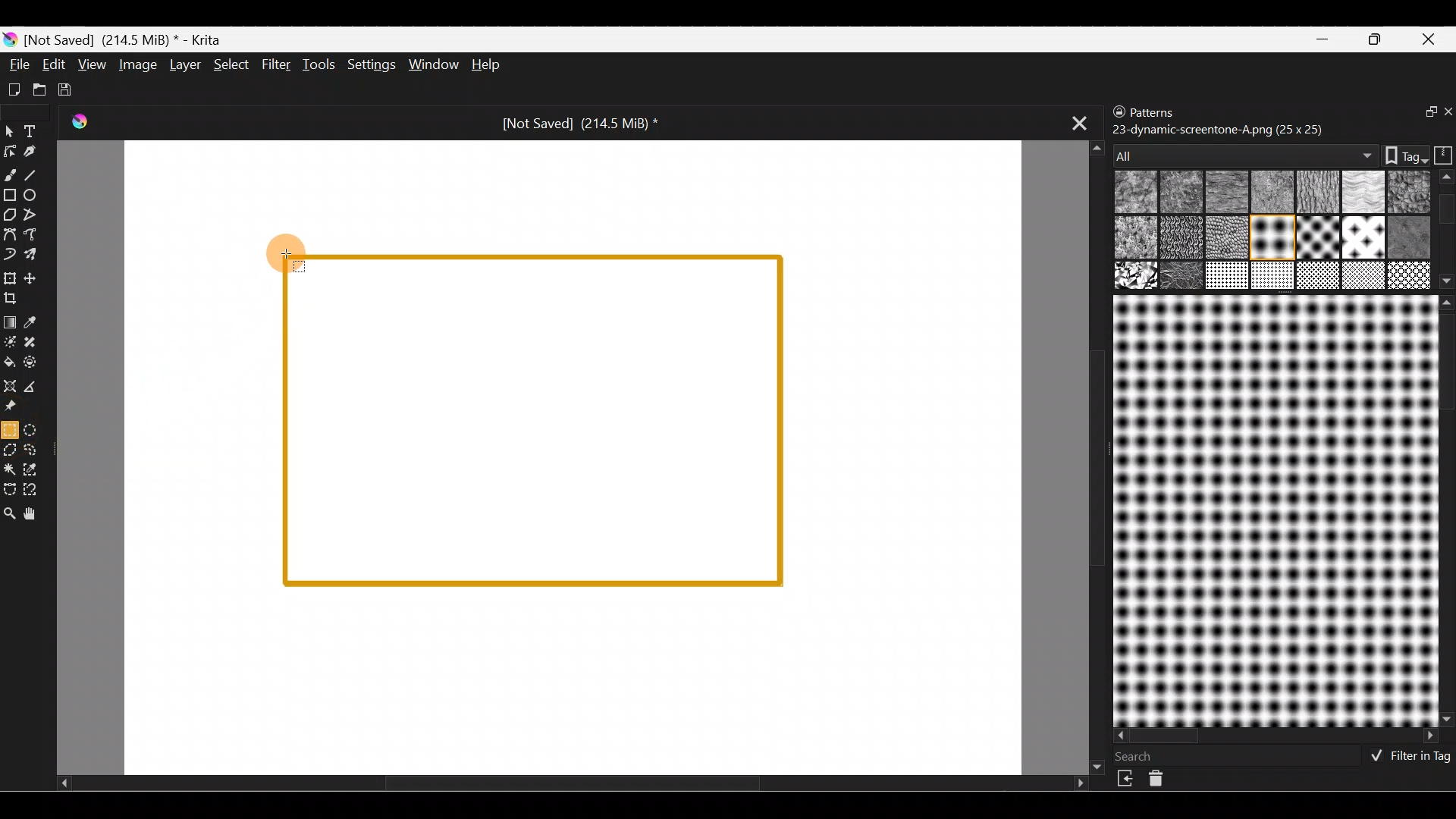  I want to click on Krita Logo, so click(79, 123).